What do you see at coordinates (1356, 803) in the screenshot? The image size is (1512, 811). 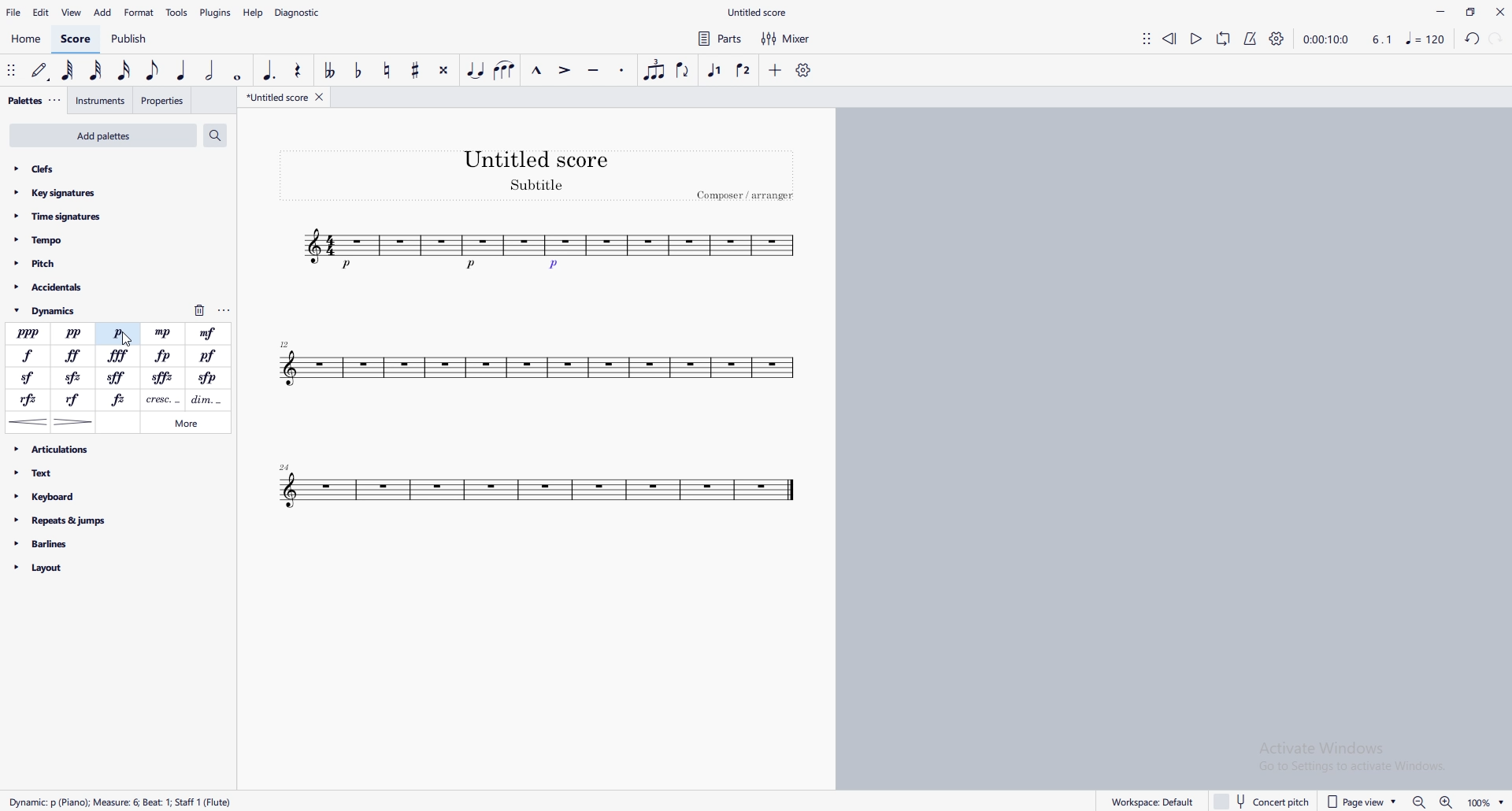 I see `page view` at bounding box center [1356, 803].